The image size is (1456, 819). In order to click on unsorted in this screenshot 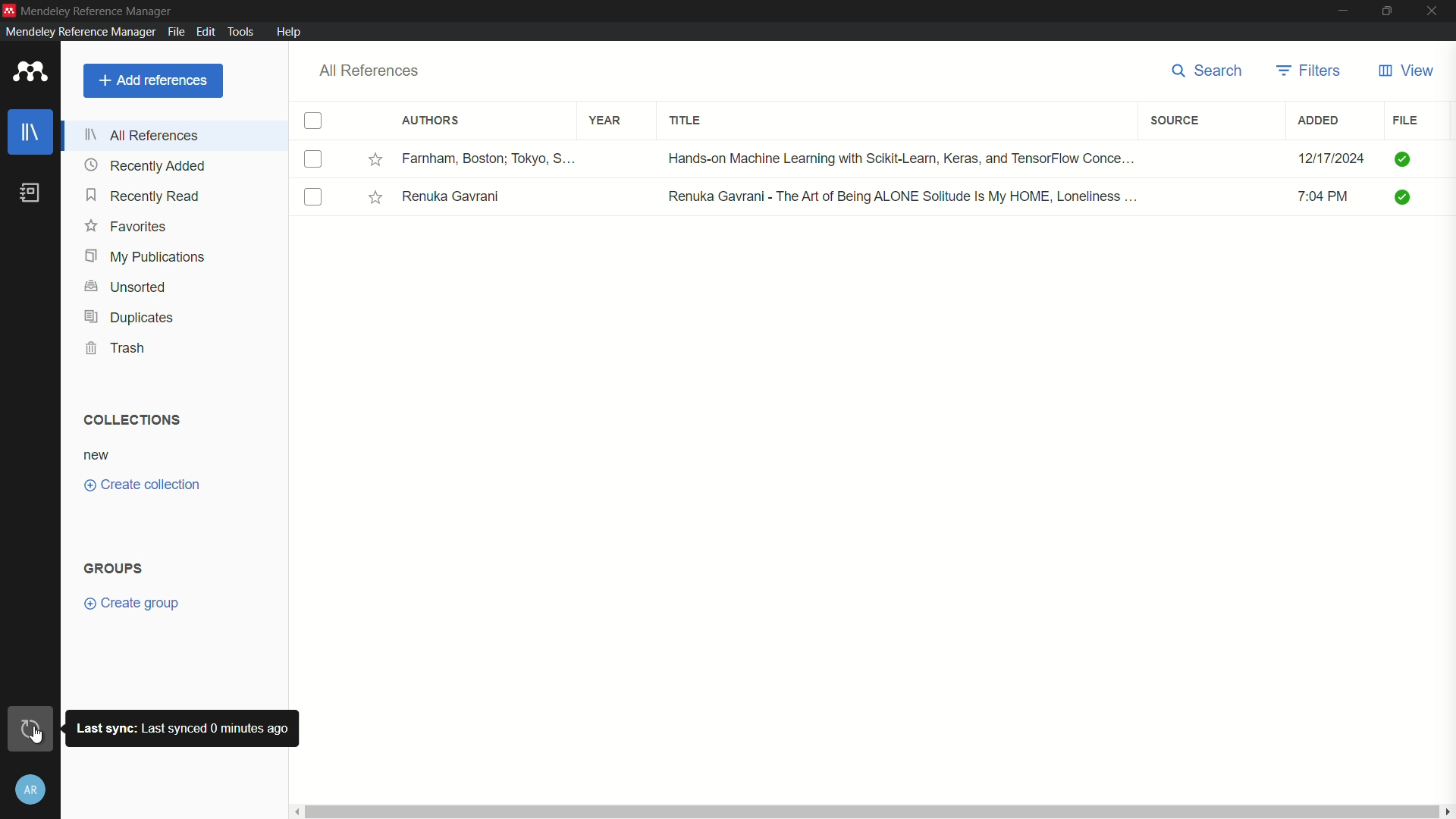, I will do `click(124, 287)`.